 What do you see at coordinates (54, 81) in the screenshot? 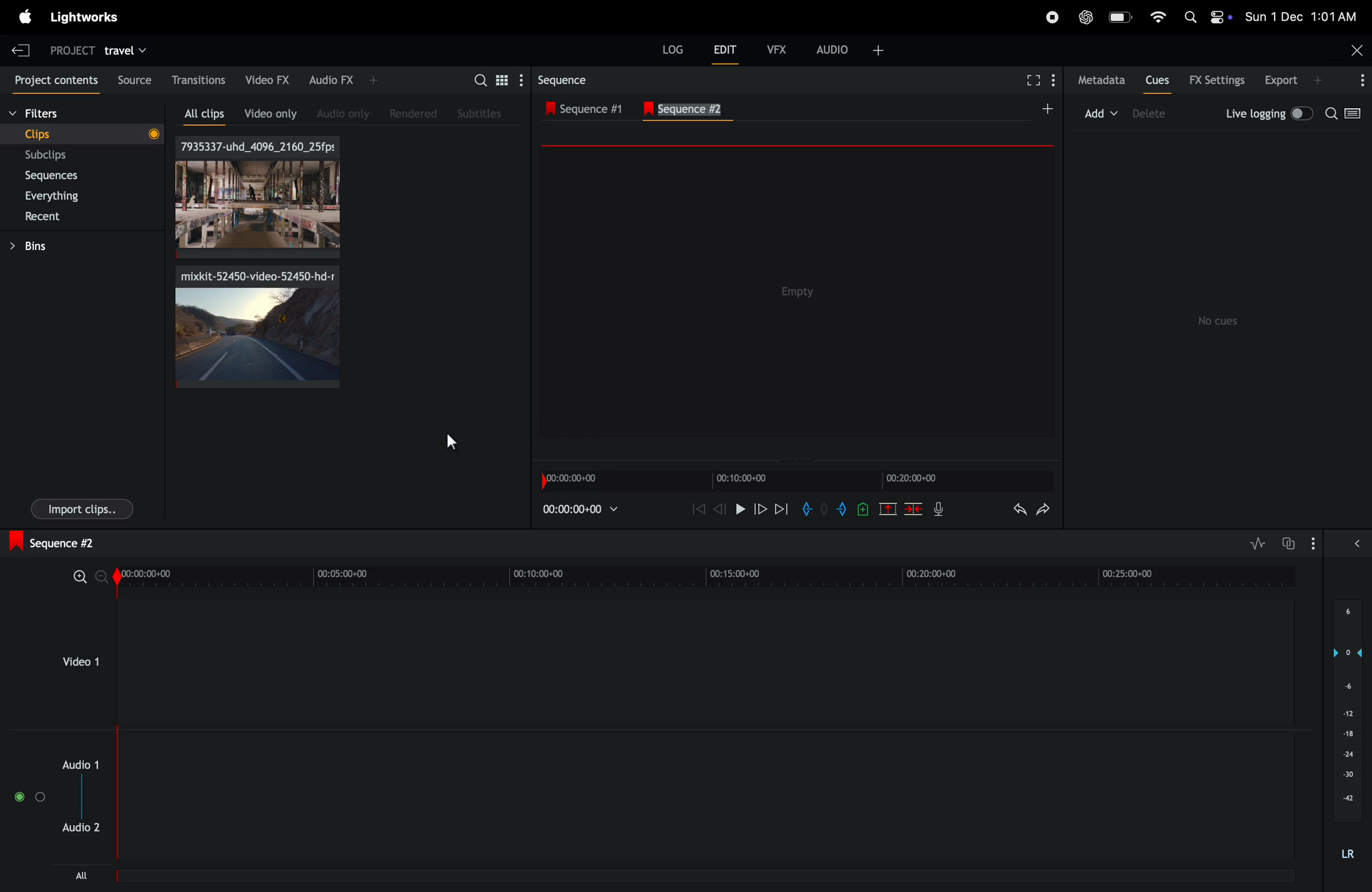
I see `project contents` at bounding box center [54, 81].